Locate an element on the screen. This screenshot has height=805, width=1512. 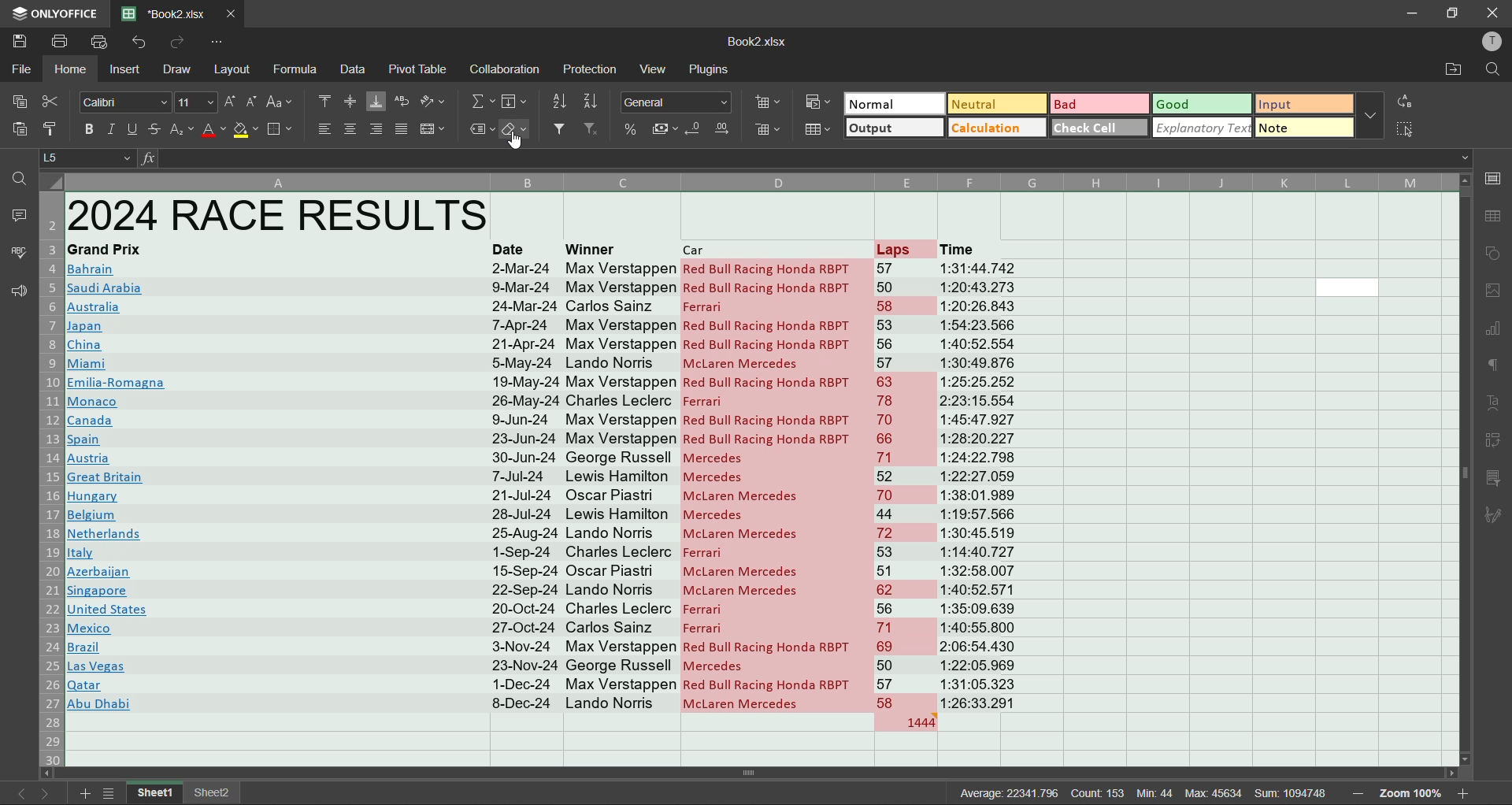
output is located at coordinates (896, 128).